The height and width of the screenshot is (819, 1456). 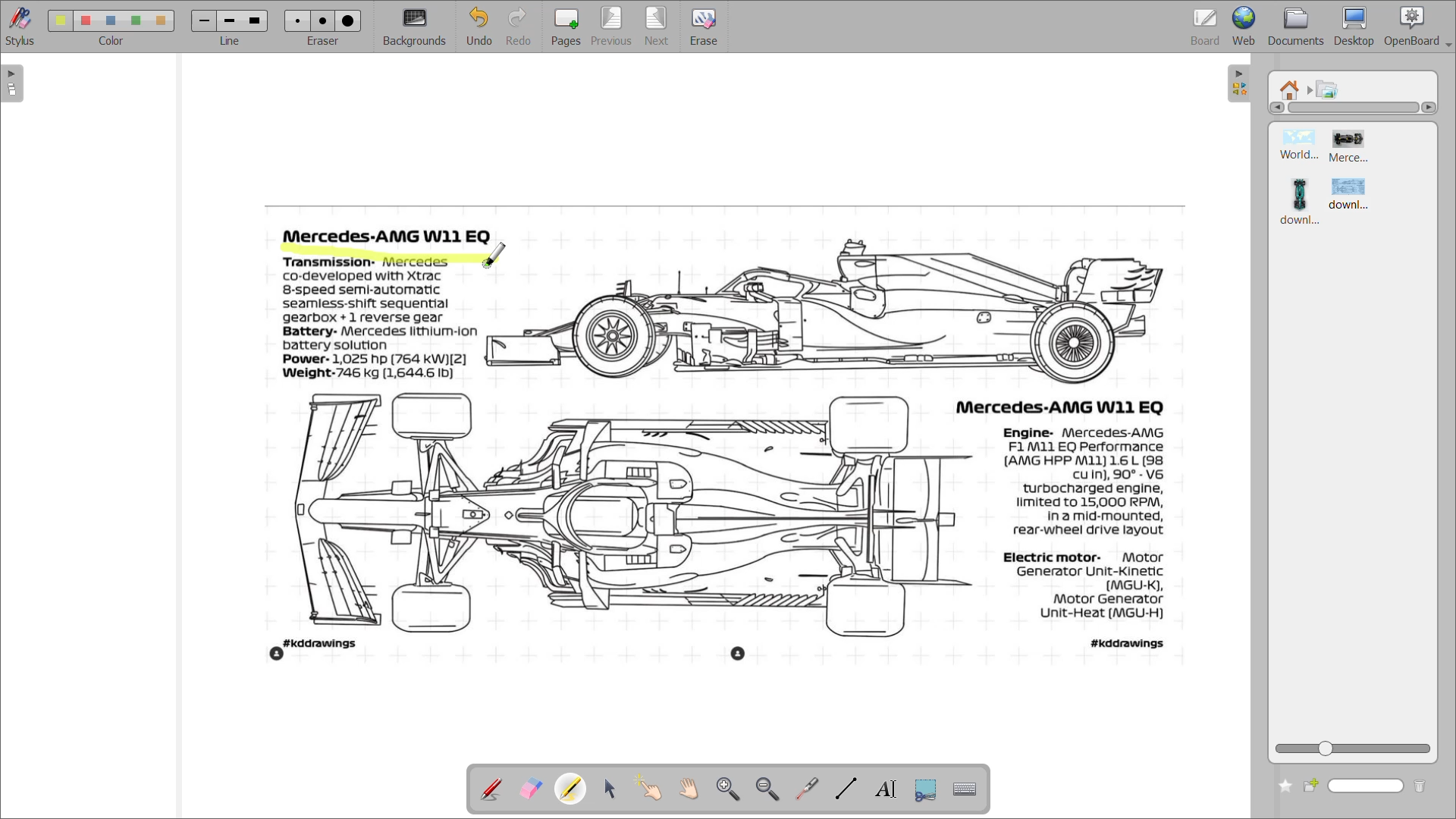 I want to click on annotate document, so click(x=494, y=788).